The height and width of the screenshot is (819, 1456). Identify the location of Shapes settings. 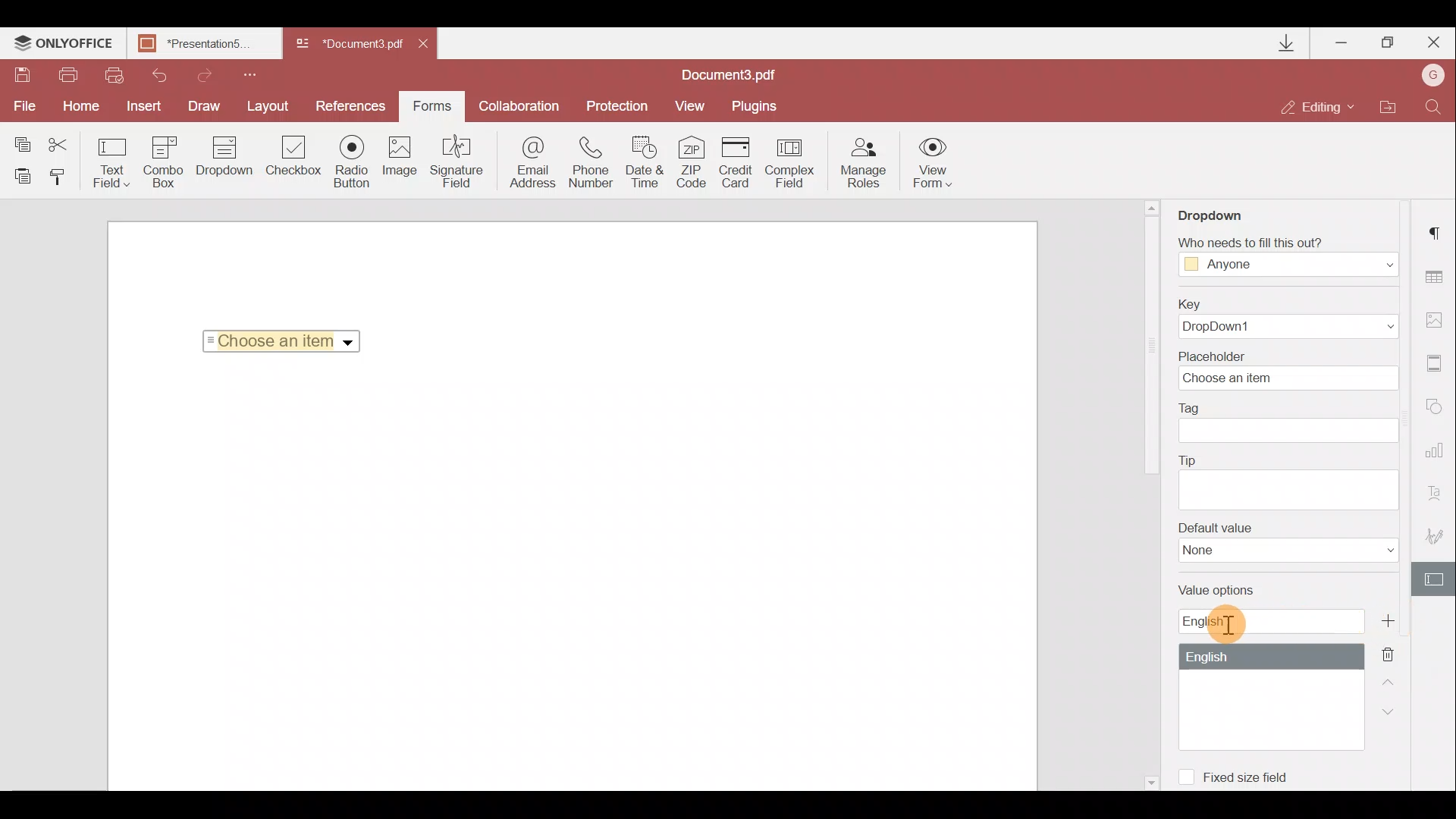
(1437, 409).